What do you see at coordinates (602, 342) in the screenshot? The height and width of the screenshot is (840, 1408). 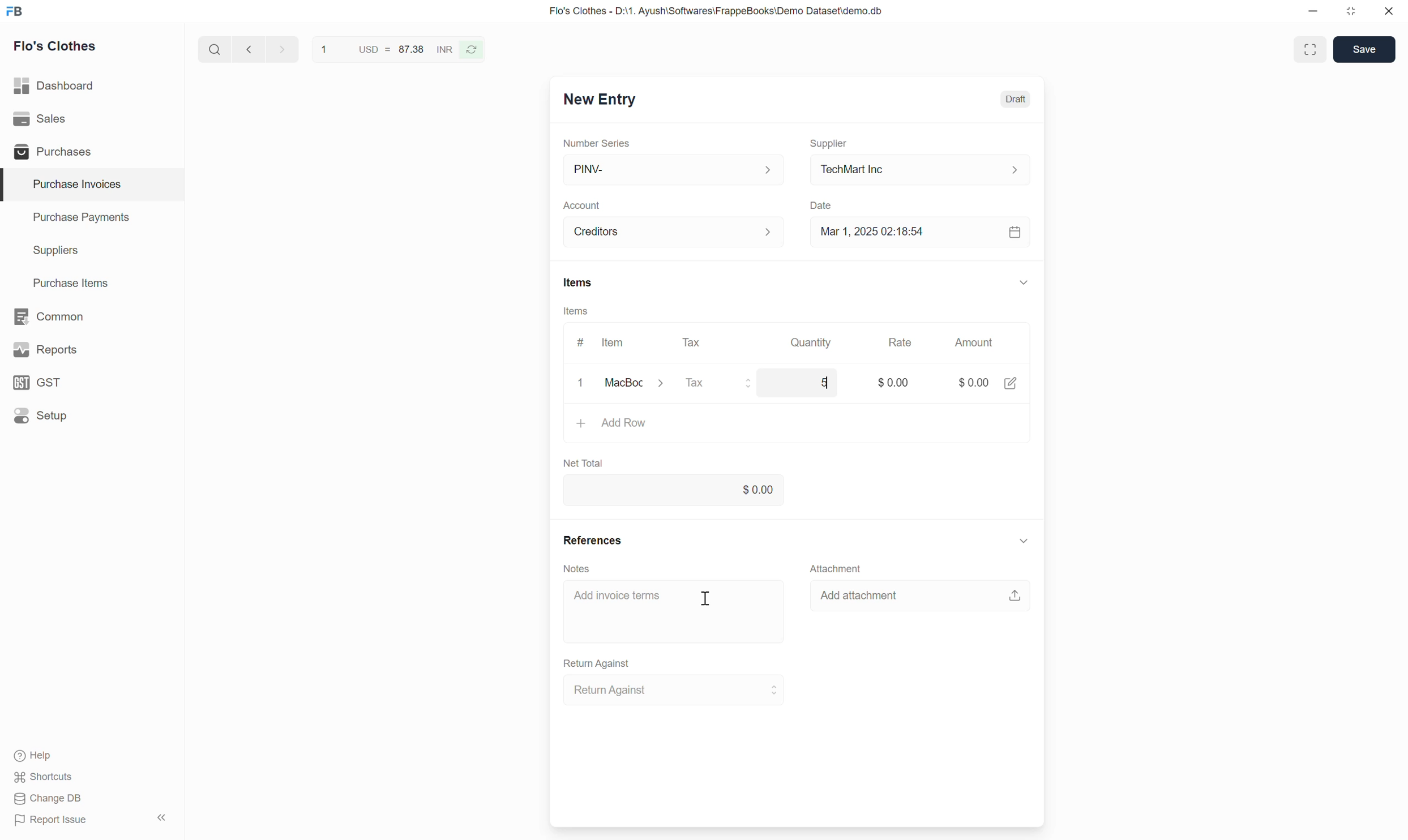 I see `# Item` at bounding box center [602, 342].